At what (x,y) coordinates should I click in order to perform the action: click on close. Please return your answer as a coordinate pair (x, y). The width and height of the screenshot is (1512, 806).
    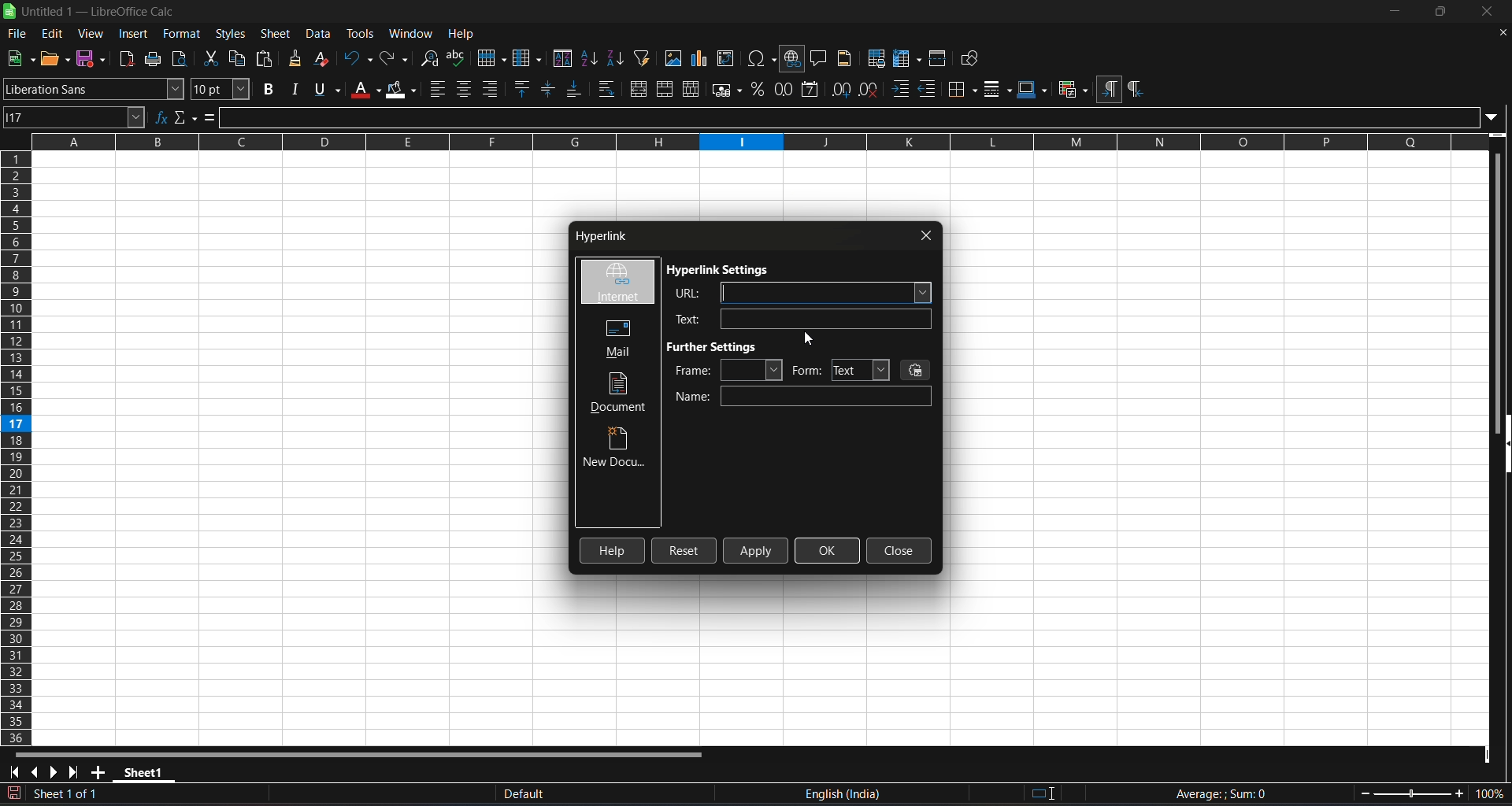
    Looking at the image, I should click on (899, 551).